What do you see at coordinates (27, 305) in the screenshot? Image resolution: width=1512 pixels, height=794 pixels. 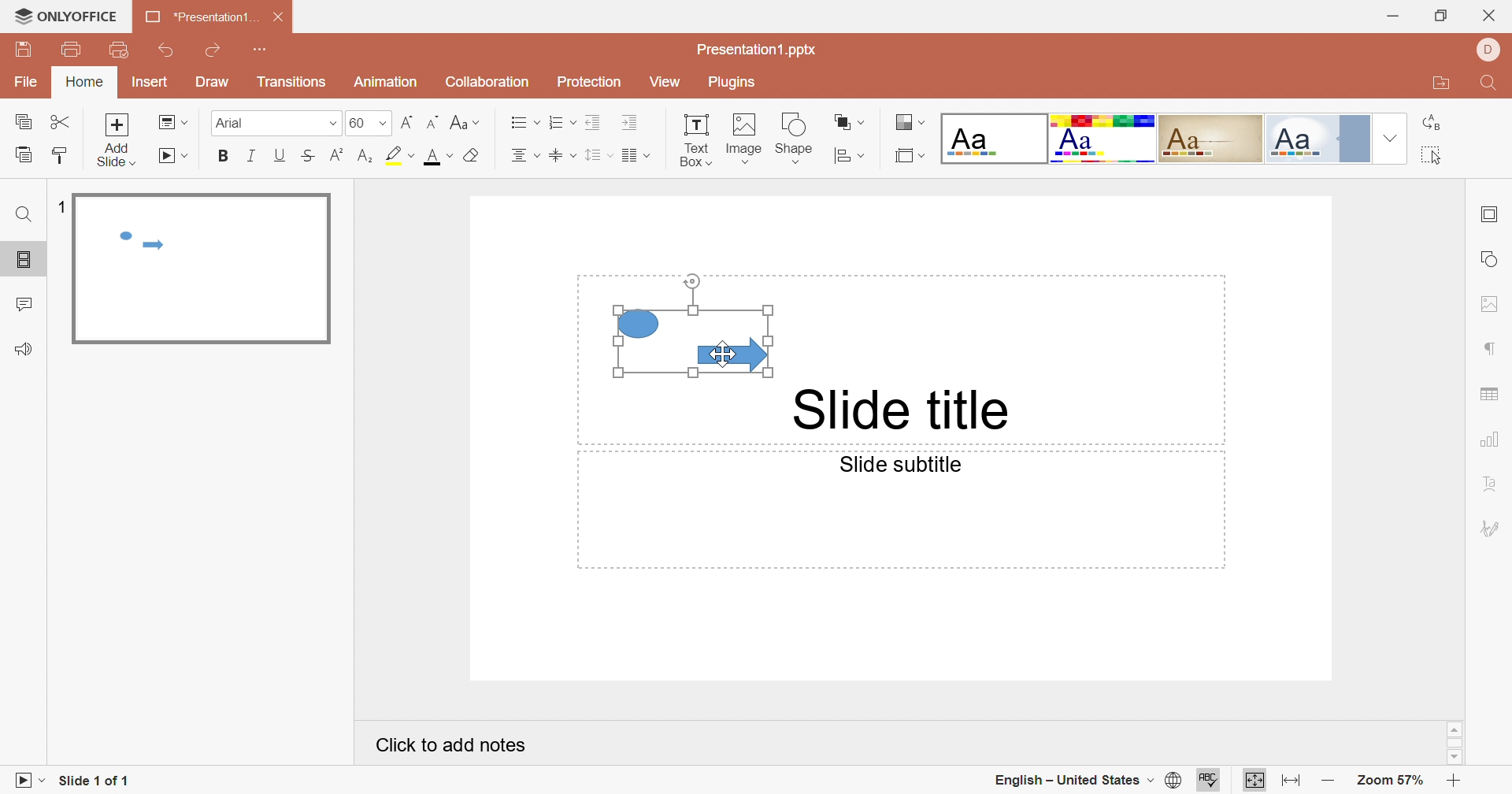 I see `Comments` at bounding box center [27, 305].